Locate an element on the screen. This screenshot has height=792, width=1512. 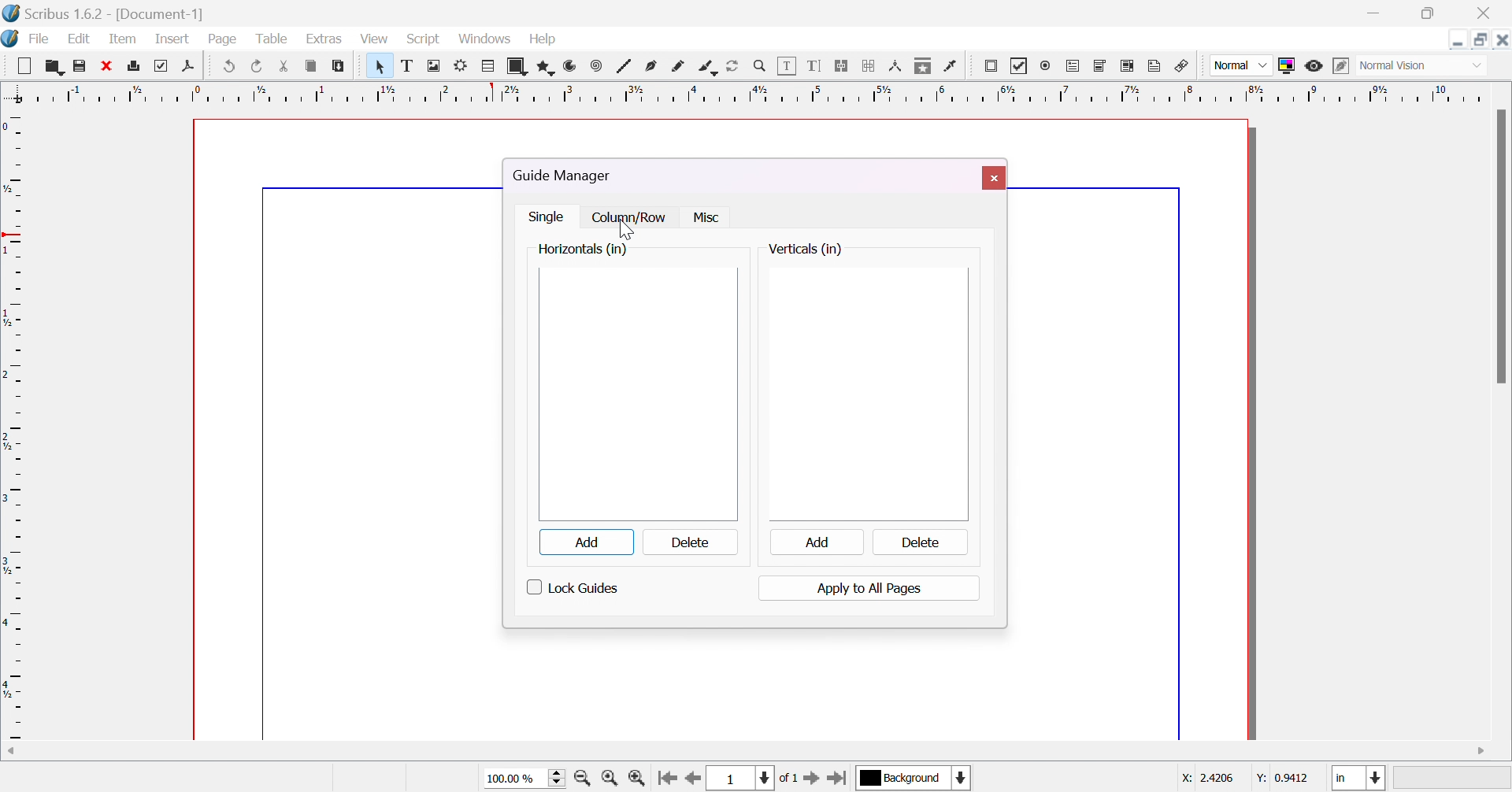
view is located at coordinates (375, 39).